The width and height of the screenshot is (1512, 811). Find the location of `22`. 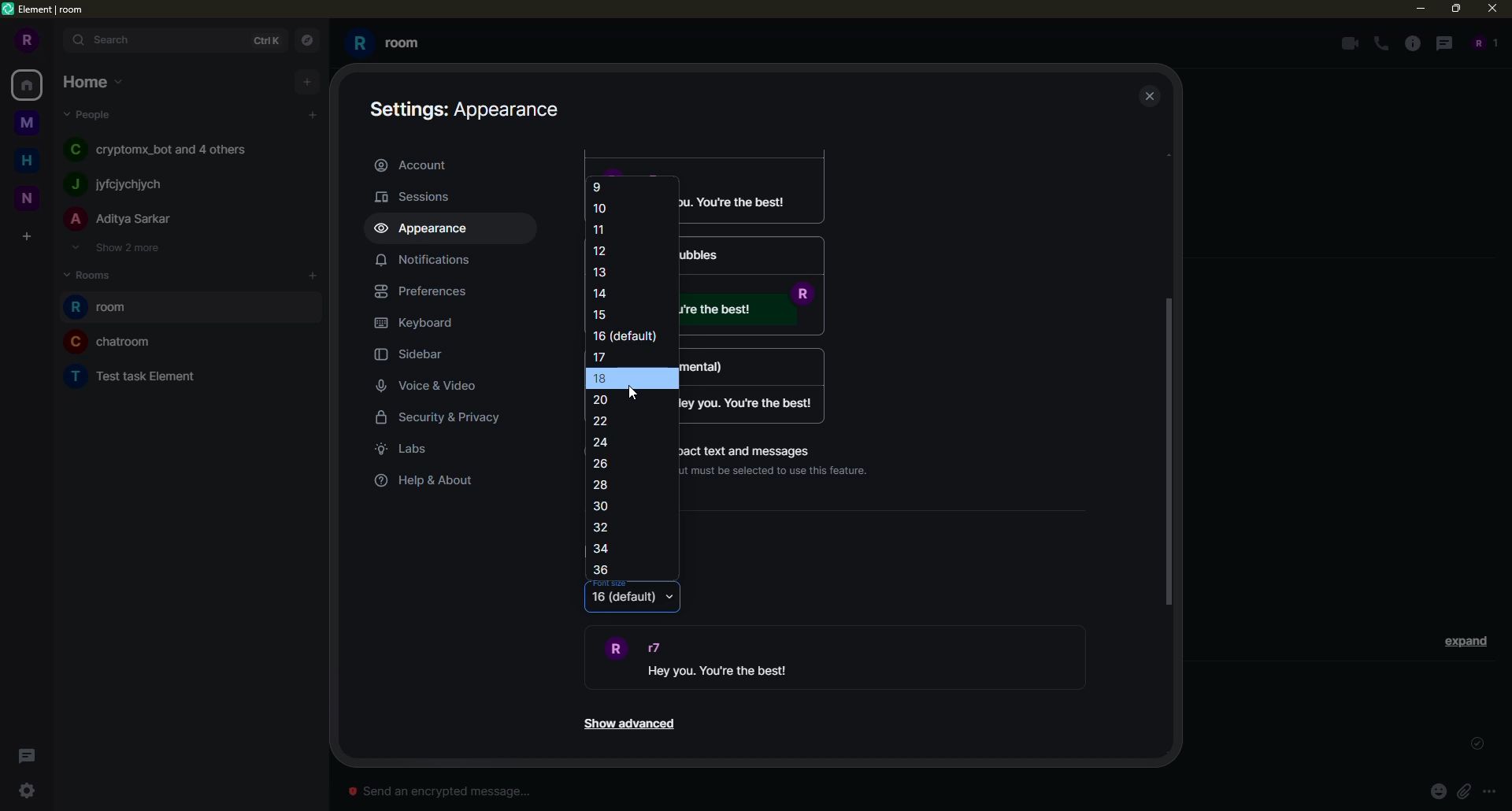

22 is located at coordinates (605, 421).